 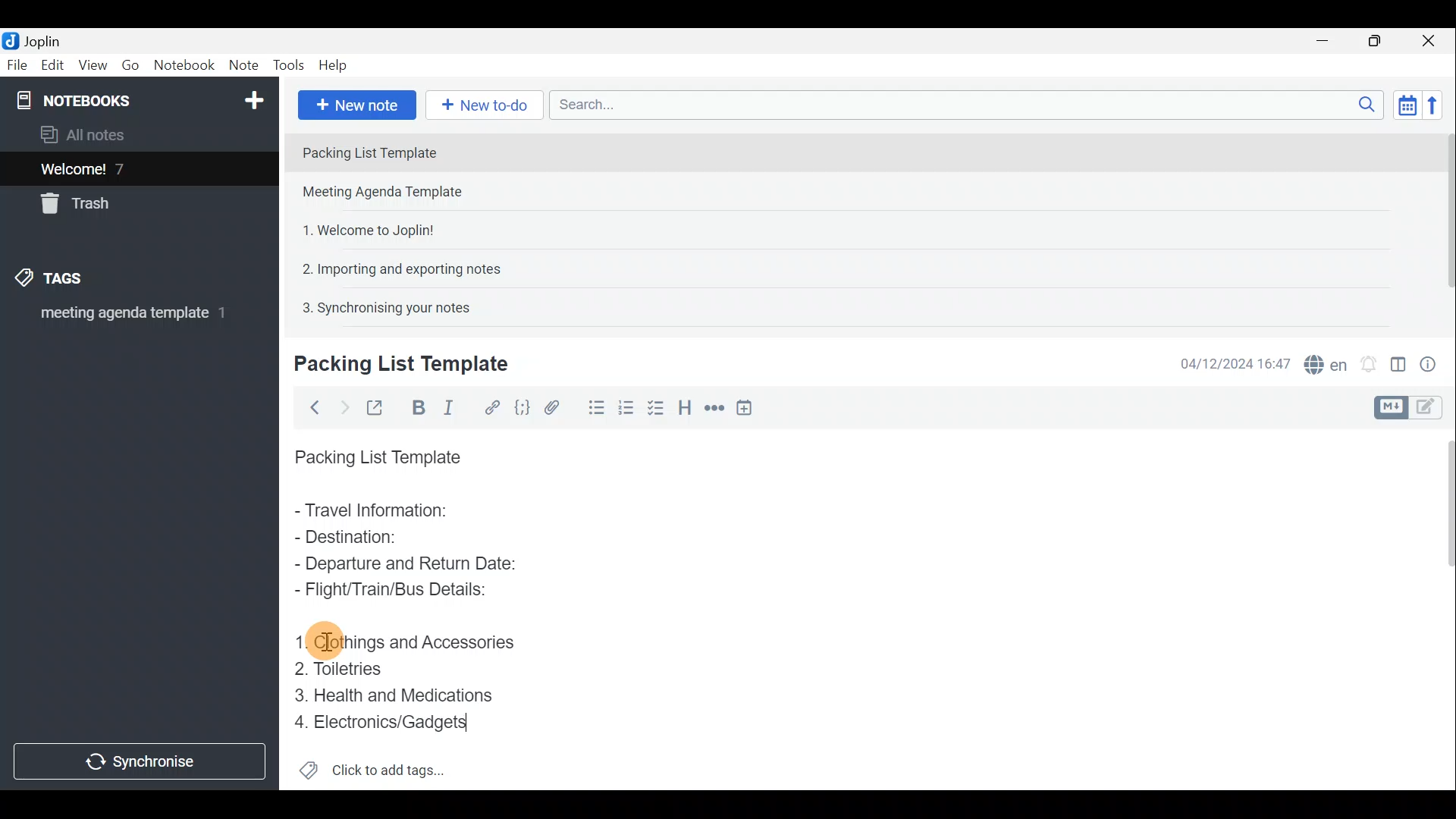 I want to click on Notebook, so click(x=184, y=67).